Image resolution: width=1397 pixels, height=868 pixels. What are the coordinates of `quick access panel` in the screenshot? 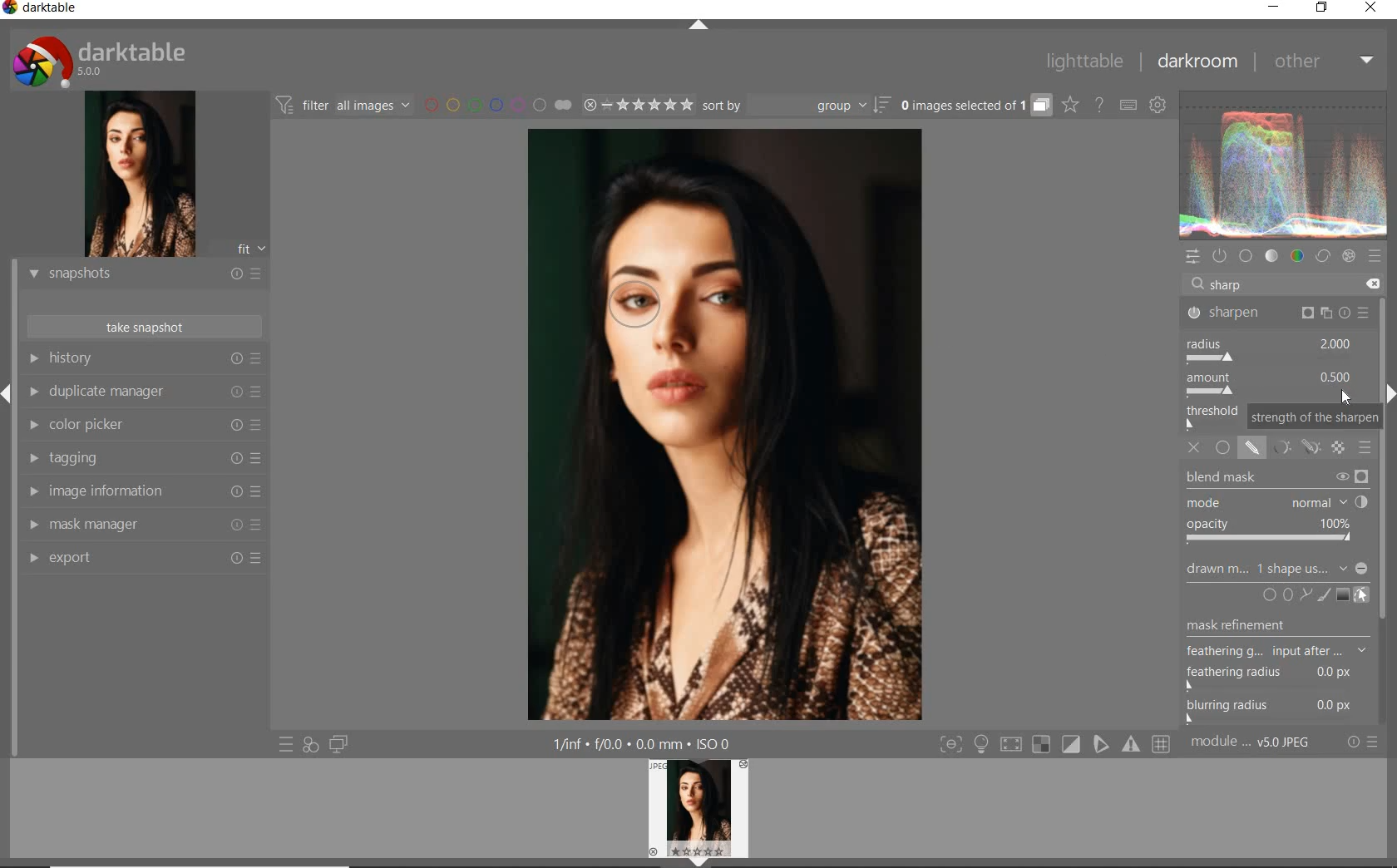 It's located at (1195, 259).